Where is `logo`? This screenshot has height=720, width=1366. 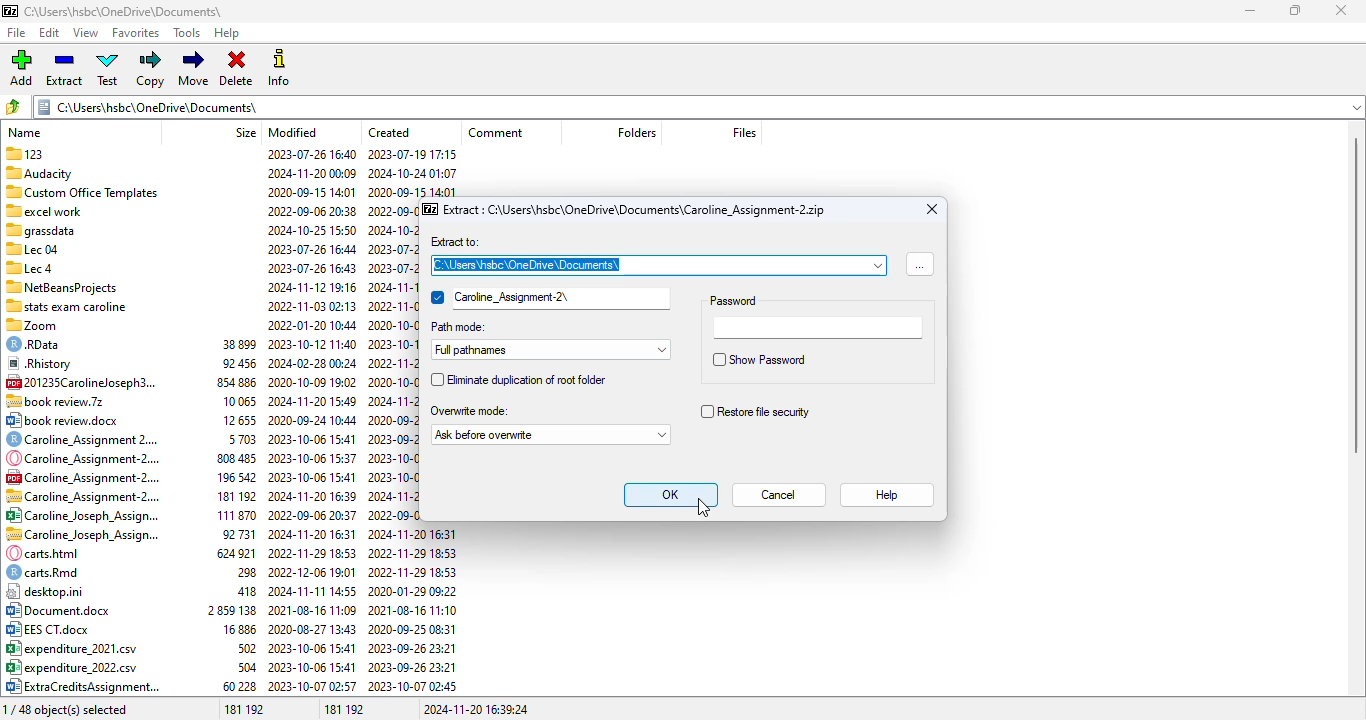 logo is located at coordinates (9, 11).